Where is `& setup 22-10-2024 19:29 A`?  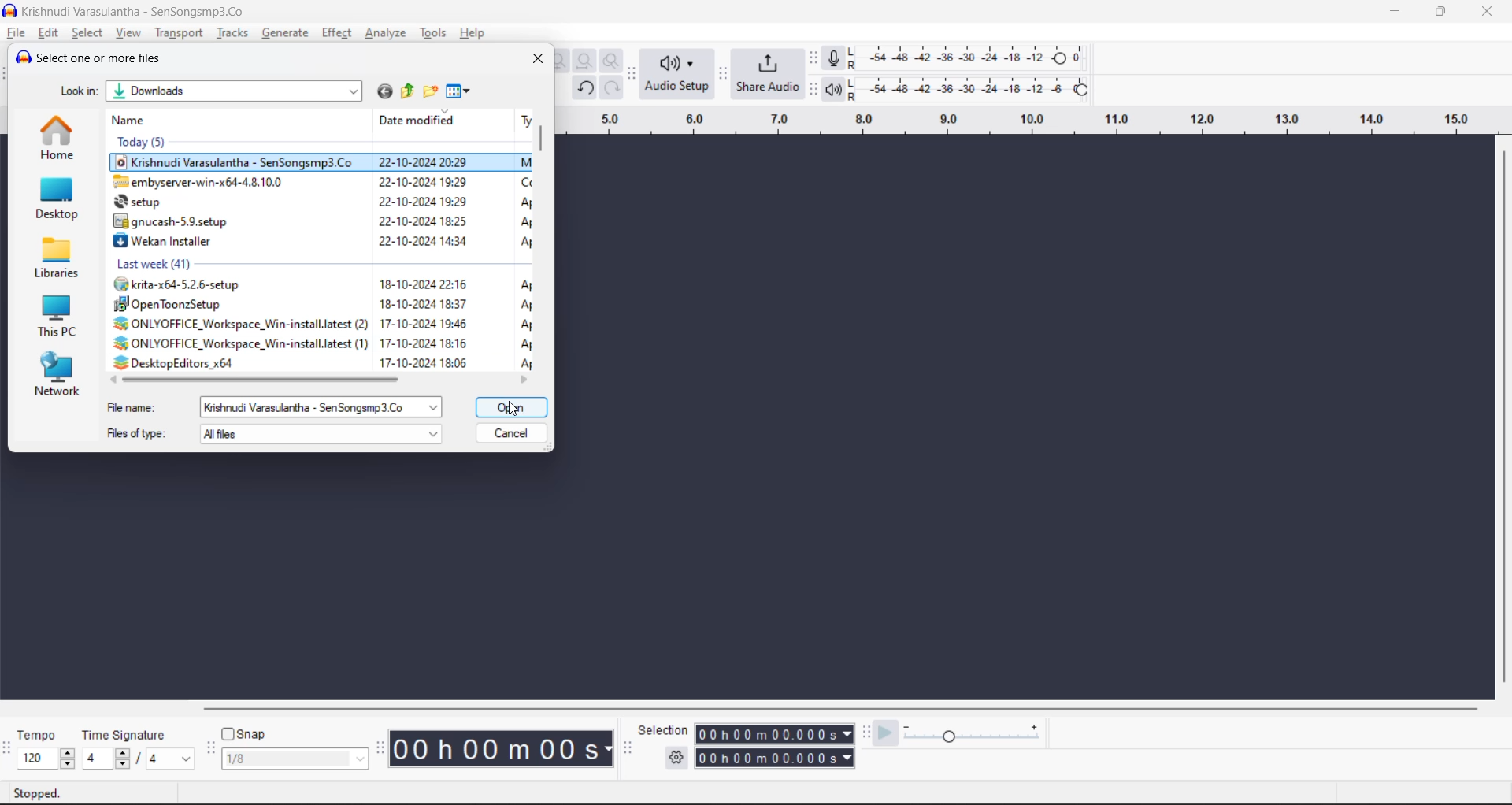
& setup 22-10-2024 19:29 A is located at coordinates (321, 200).